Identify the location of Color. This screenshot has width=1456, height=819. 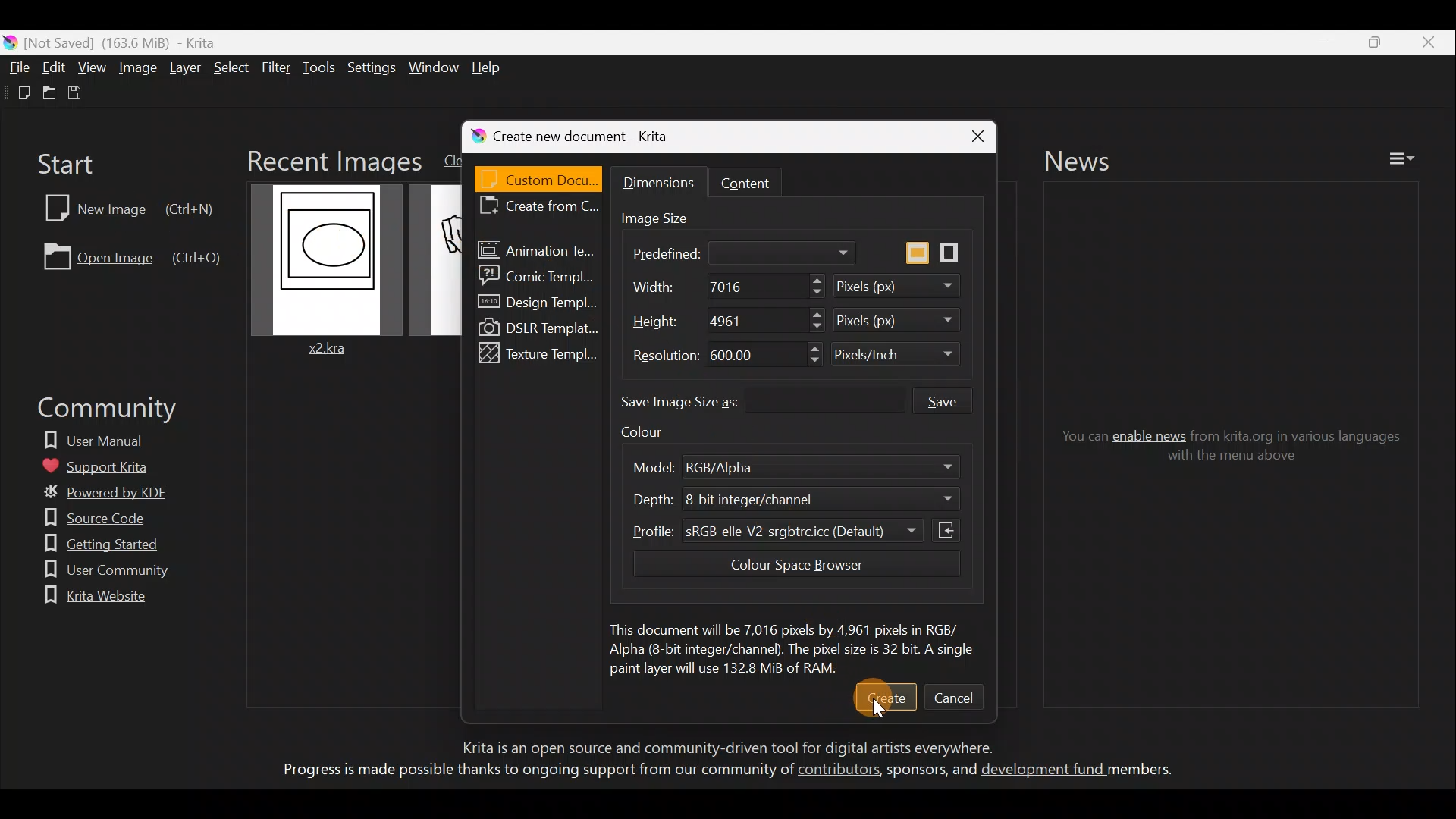
(658, 436).